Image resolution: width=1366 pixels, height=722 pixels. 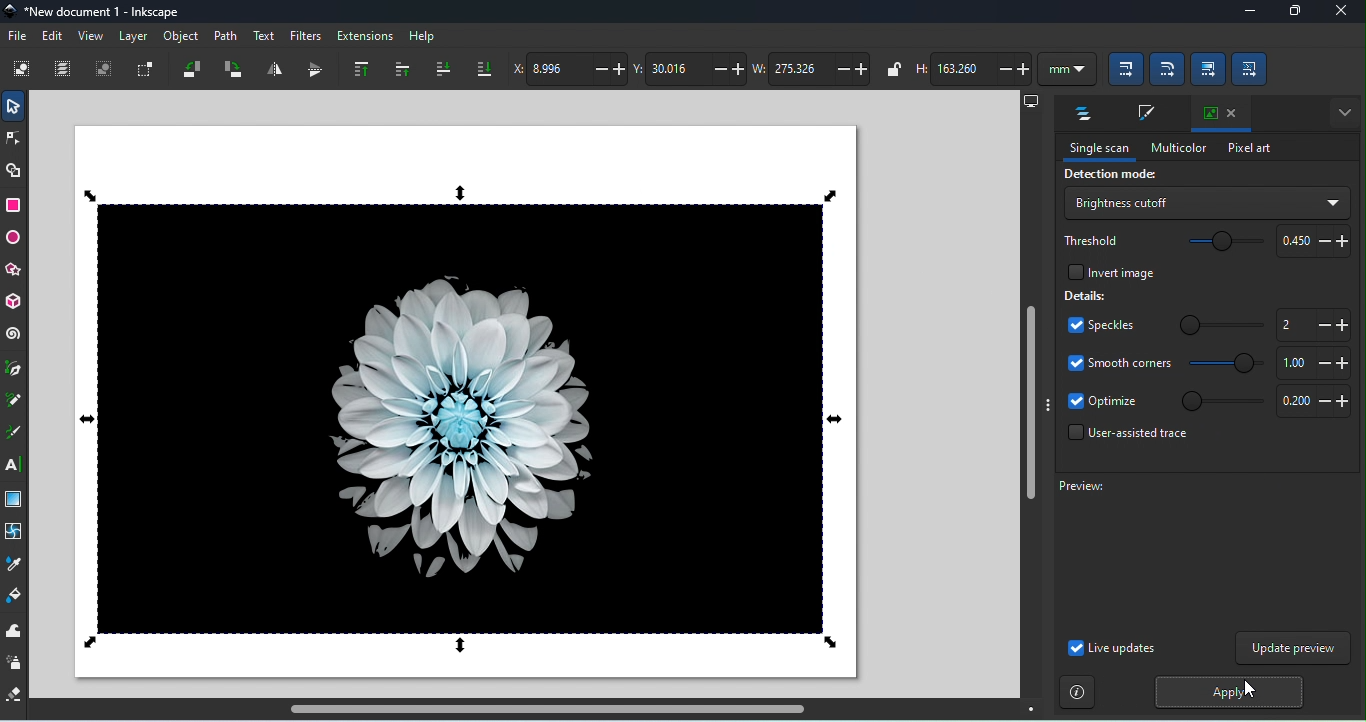 I want to click on 3D box tool, so click(x=13, y=302).